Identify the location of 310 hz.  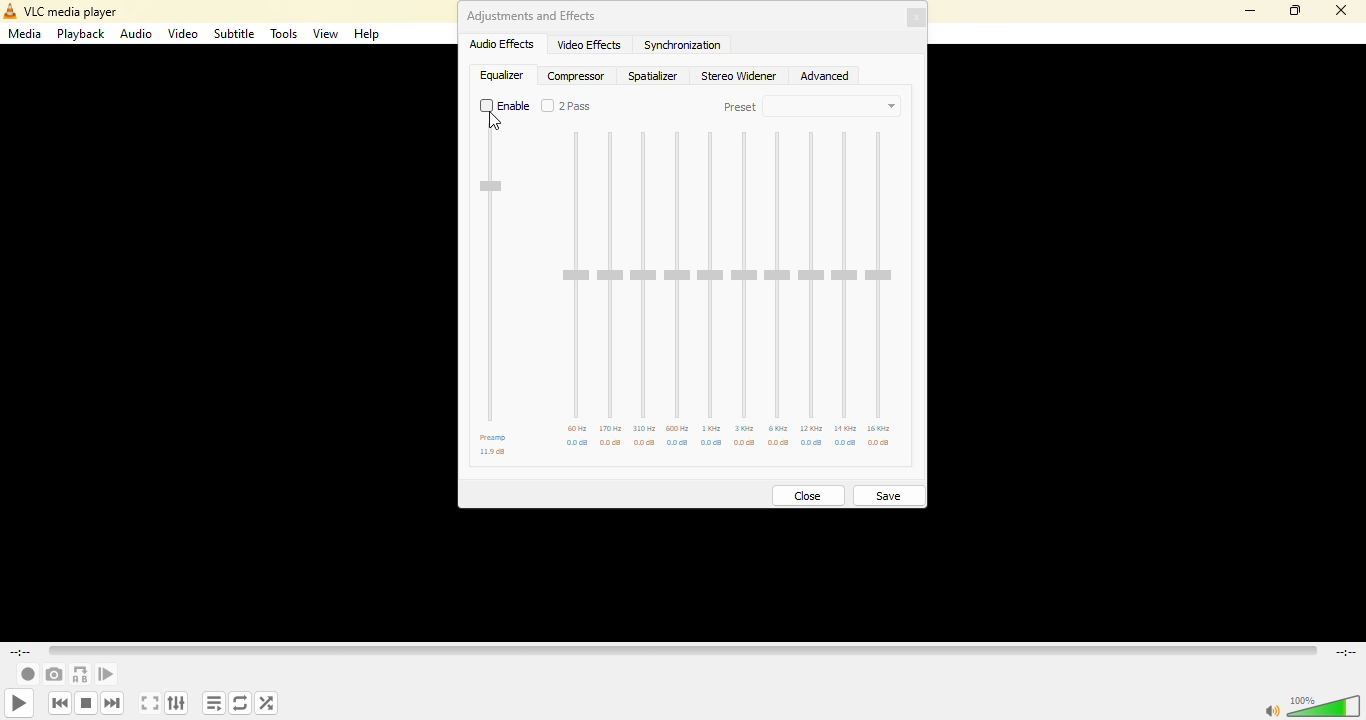
(646, 428).